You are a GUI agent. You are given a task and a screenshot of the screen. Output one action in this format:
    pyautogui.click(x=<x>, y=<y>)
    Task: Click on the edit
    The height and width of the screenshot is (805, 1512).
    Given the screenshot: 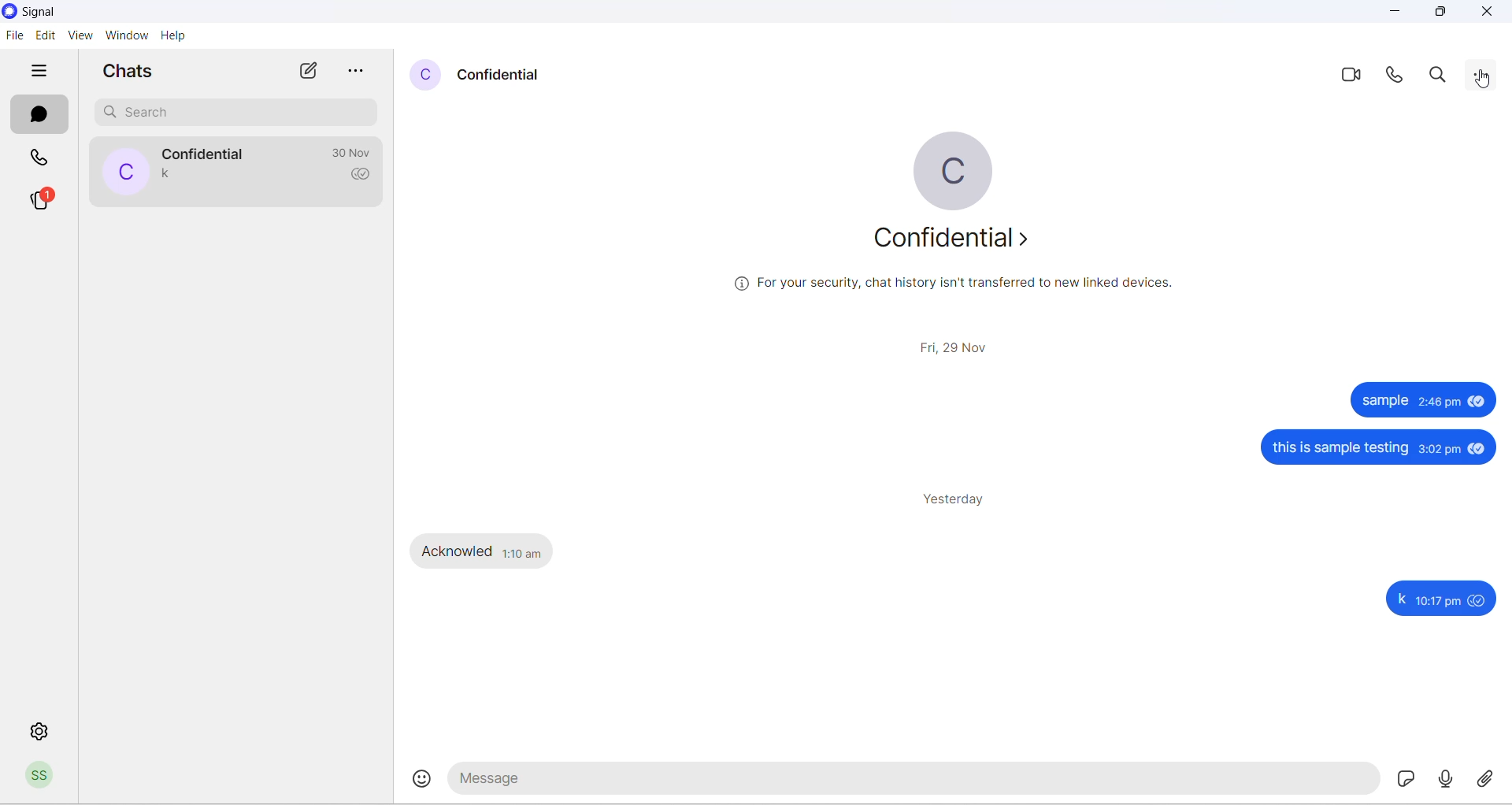 What is the action you would take?
    pyautogui.click(x=44, y=34)
    